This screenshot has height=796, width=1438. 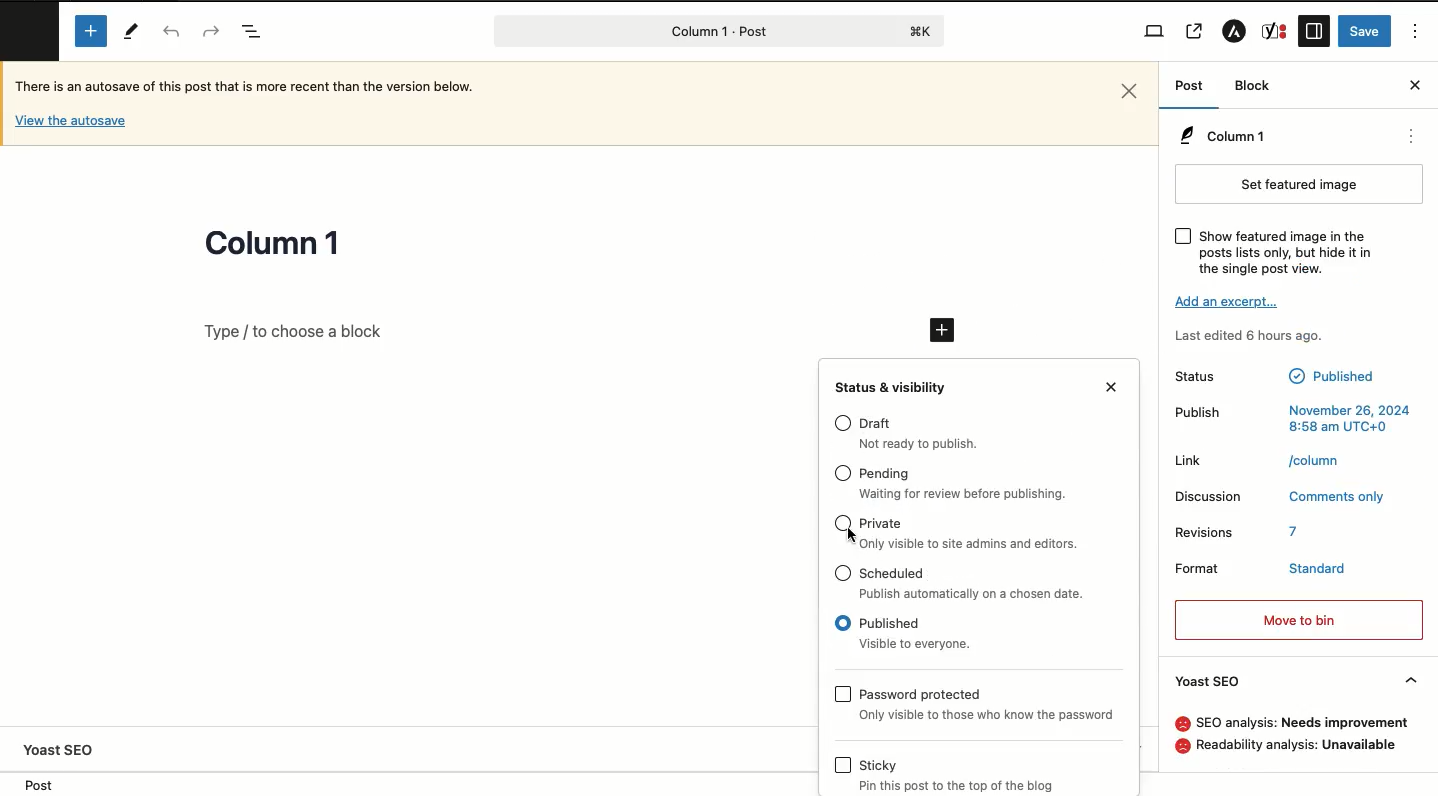 What do you see at coordinates (852, 536) in the screenshot?
I see `cursor` at bounding box center [852, 536].